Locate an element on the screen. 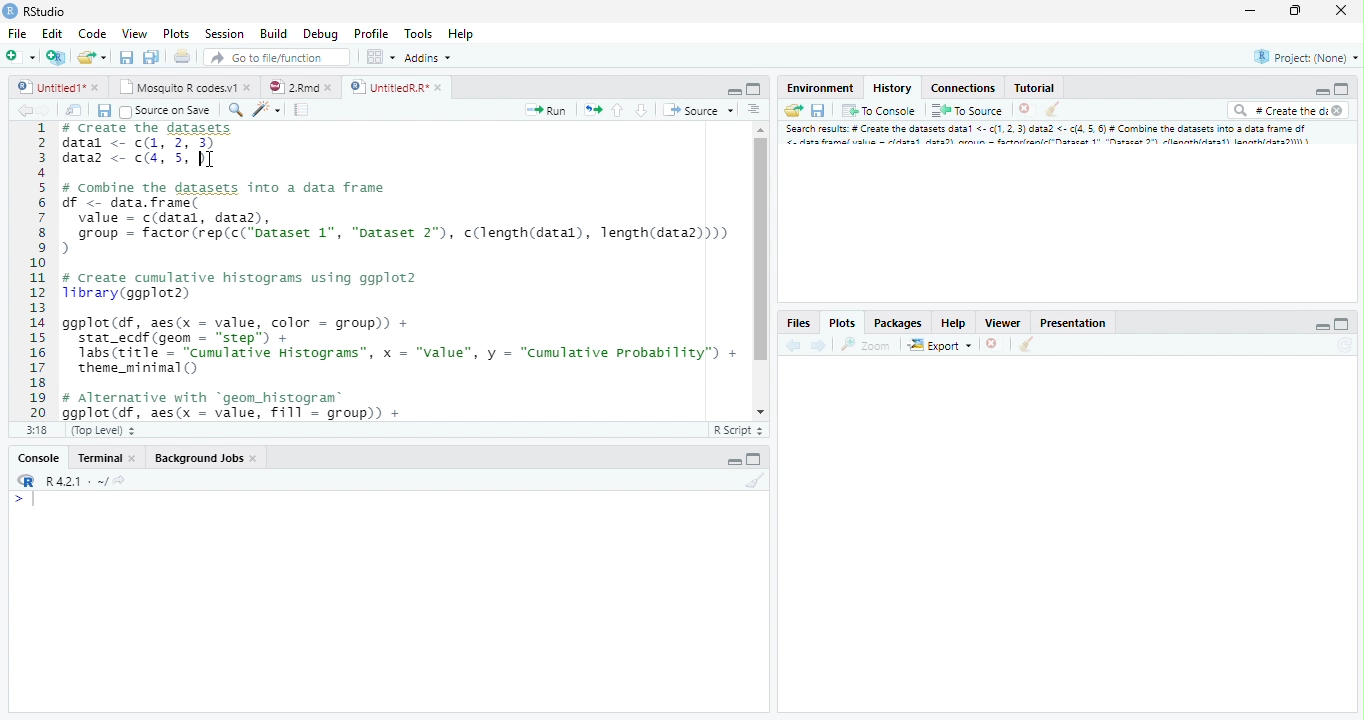 This screenshot has height=720, width=1364. Source on Save is located at coordinates (165, 112).